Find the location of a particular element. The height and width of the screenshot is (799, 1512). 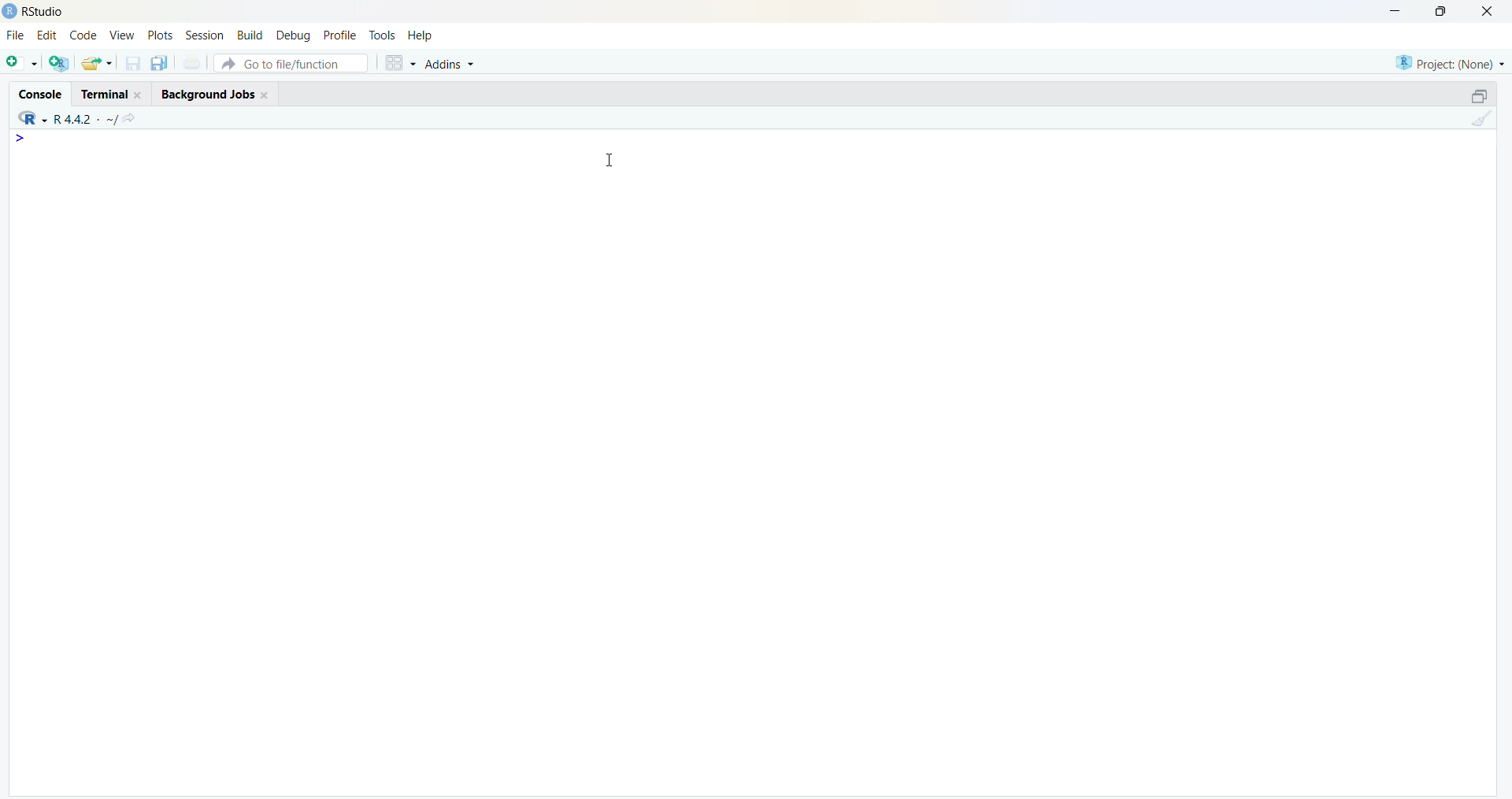

grid is located at coordinates (401, 62).